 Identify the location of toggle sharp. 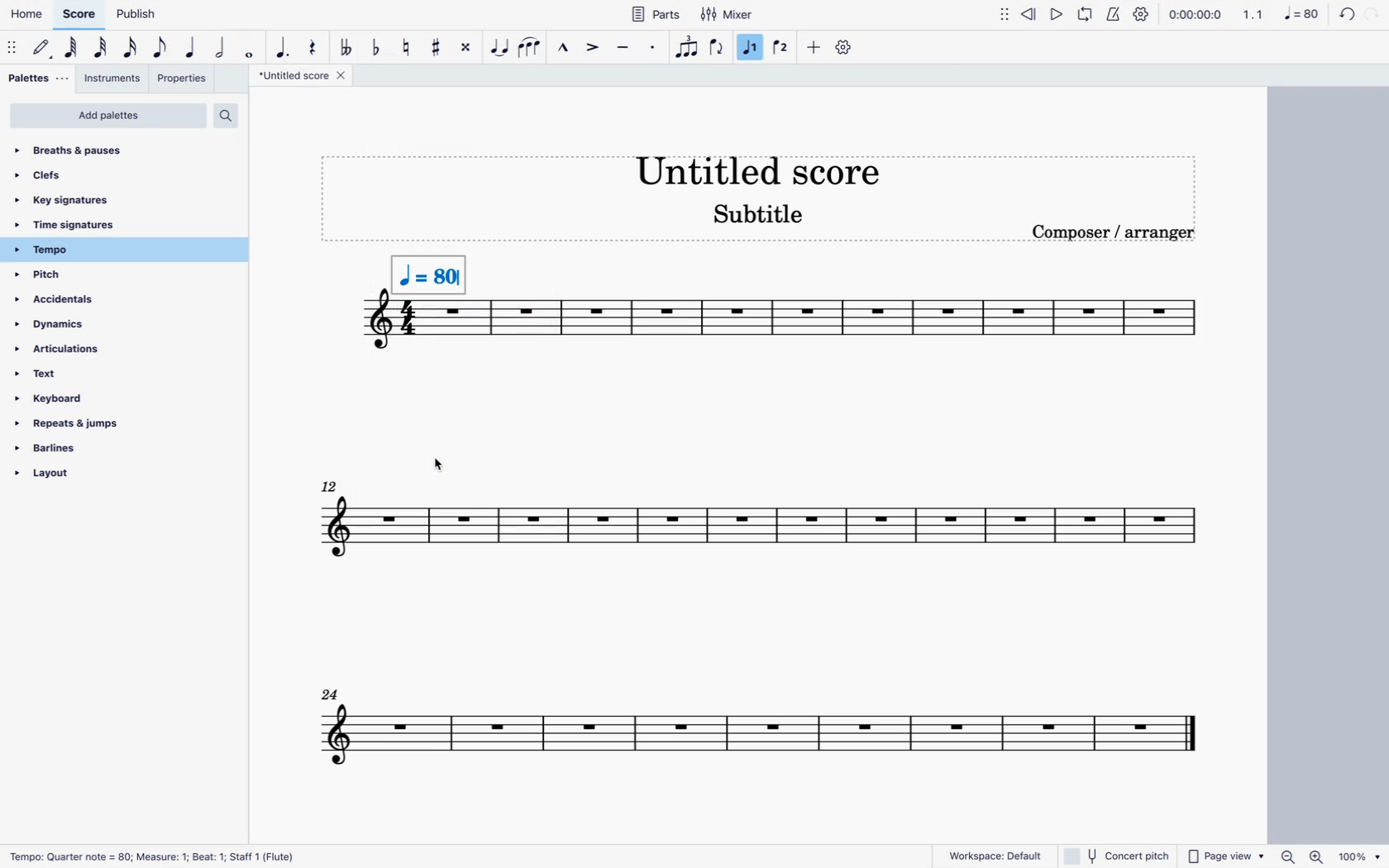
(435, 47).